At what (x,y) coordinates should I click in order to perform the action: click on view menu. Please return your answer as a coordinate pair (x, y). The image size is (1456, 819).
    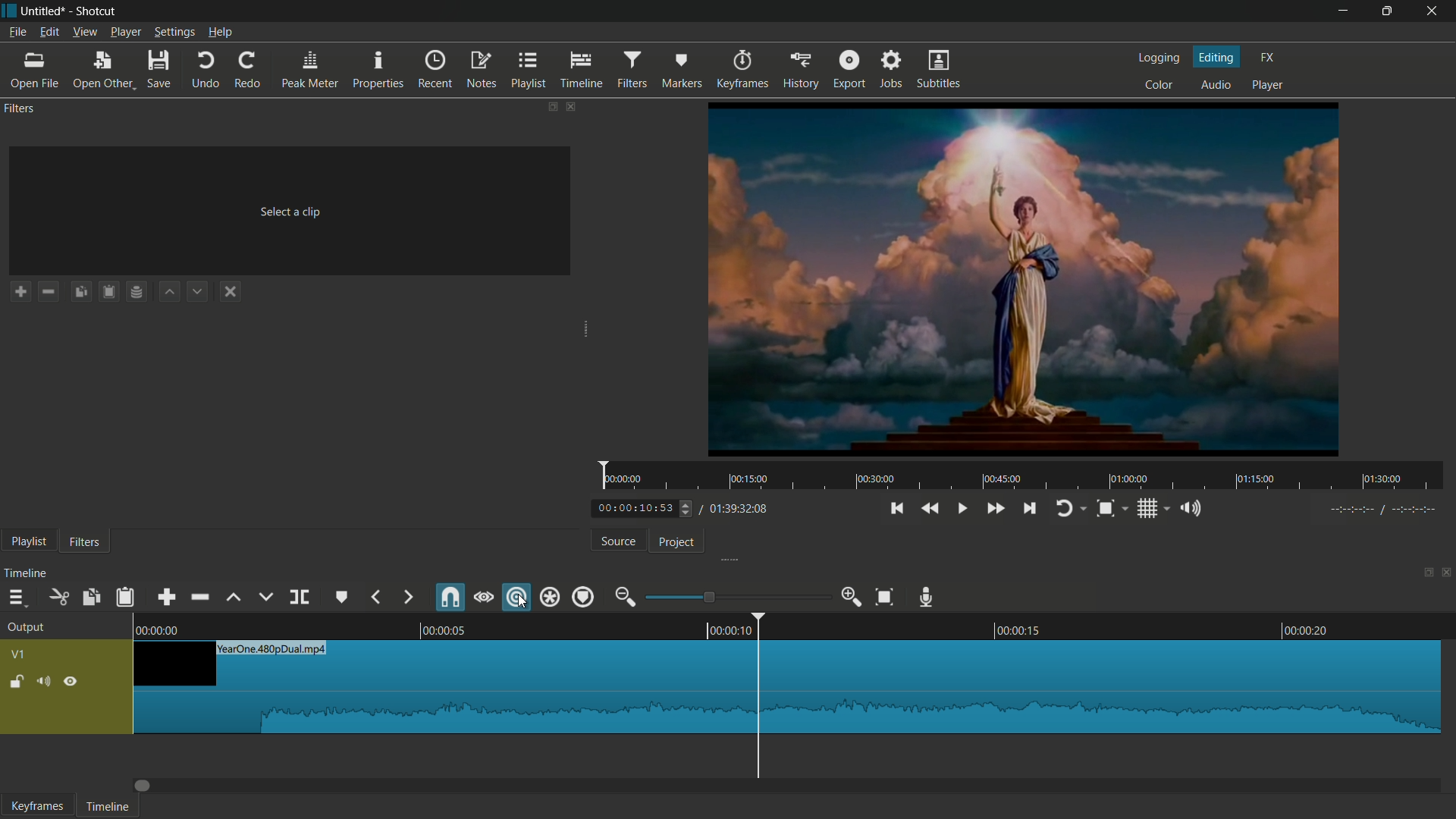
    Looking at the image, I should click on (85, 33).